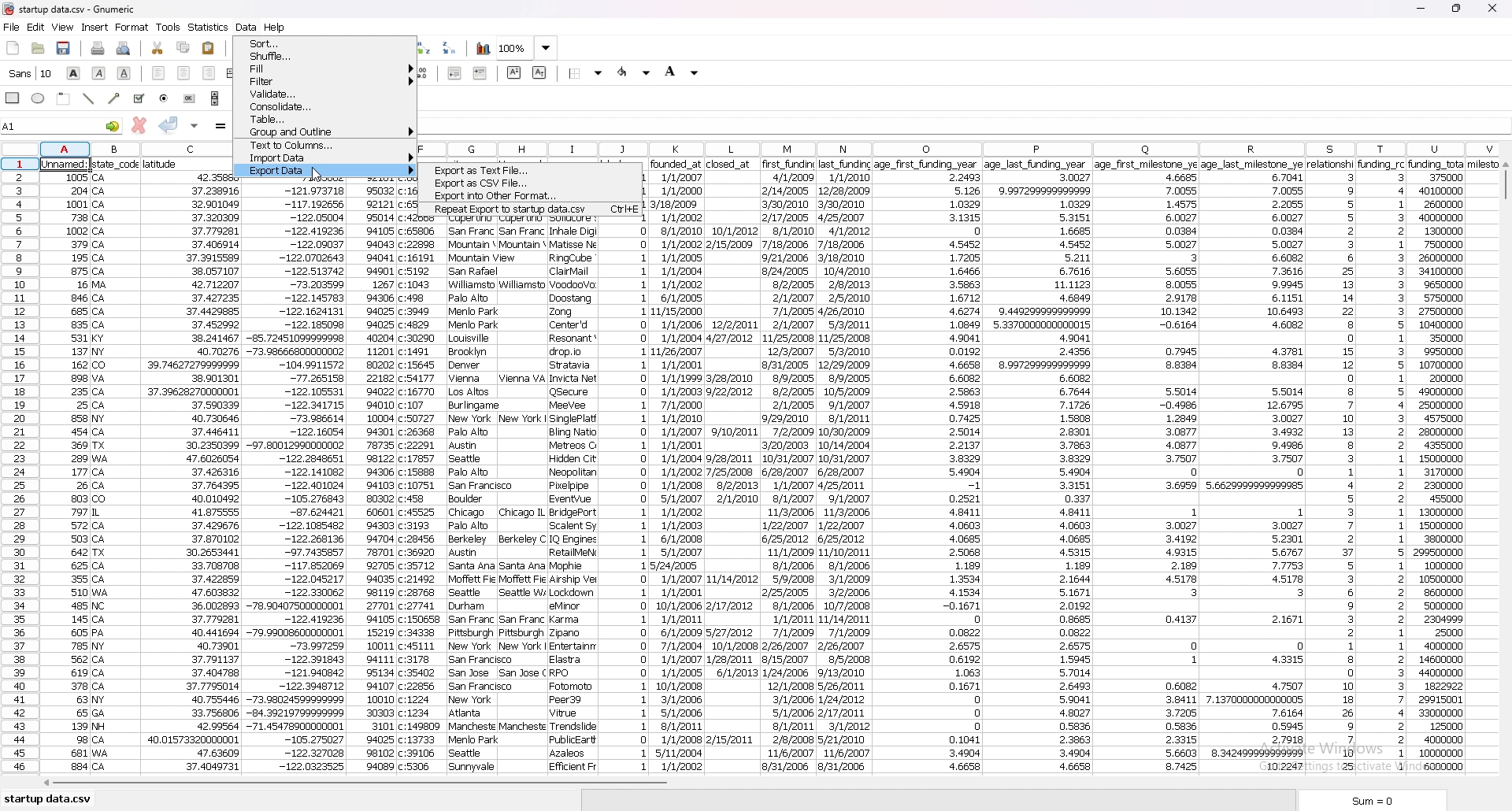 The height and width of the screenshot is (811, 1512). I want to click on copy, so click(183, 48).